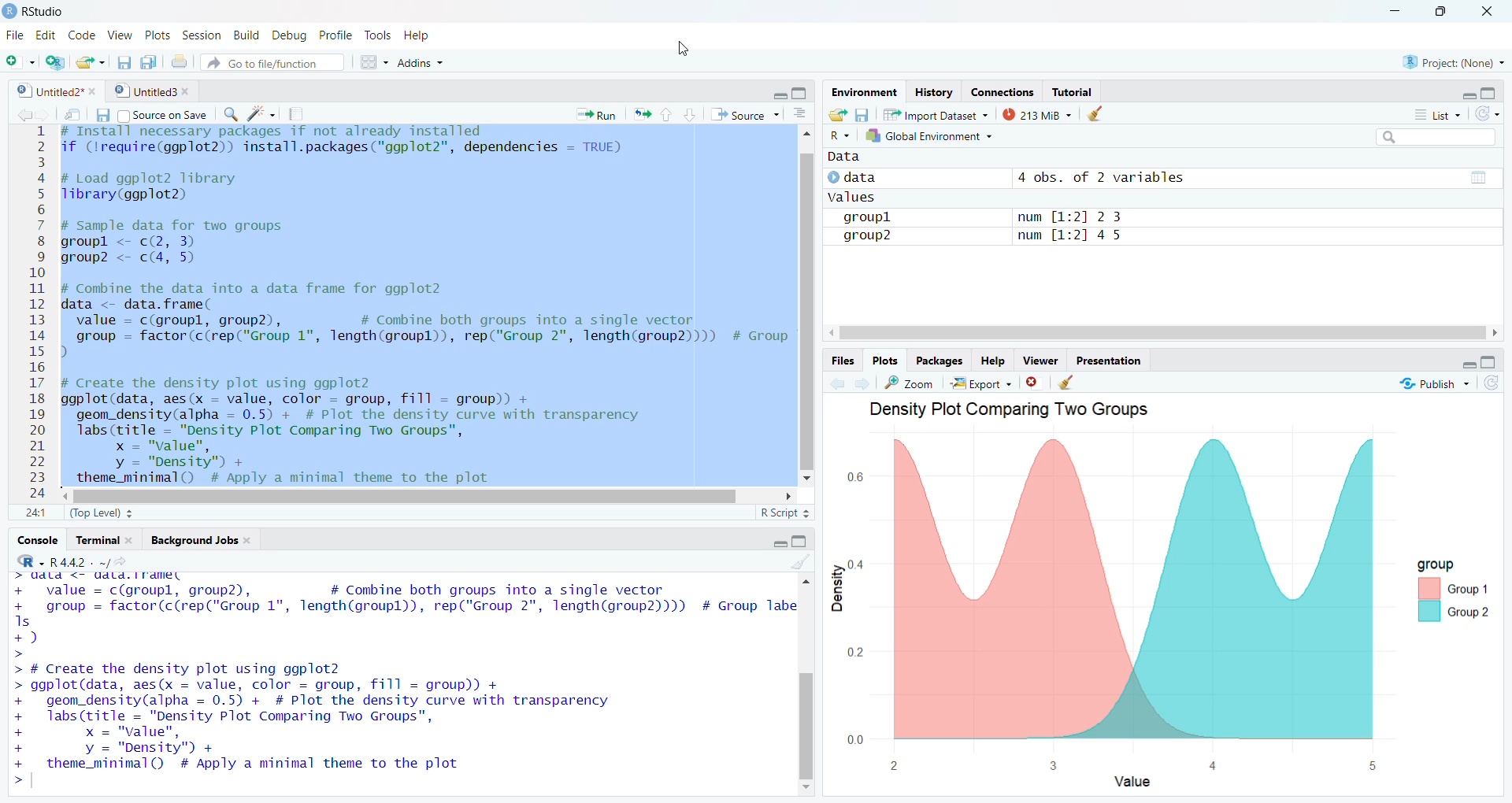 This screenshot has height=803, width=1512. Describe the element at coordinates (20, 113) in the screenshot. I see `previous` at that location.